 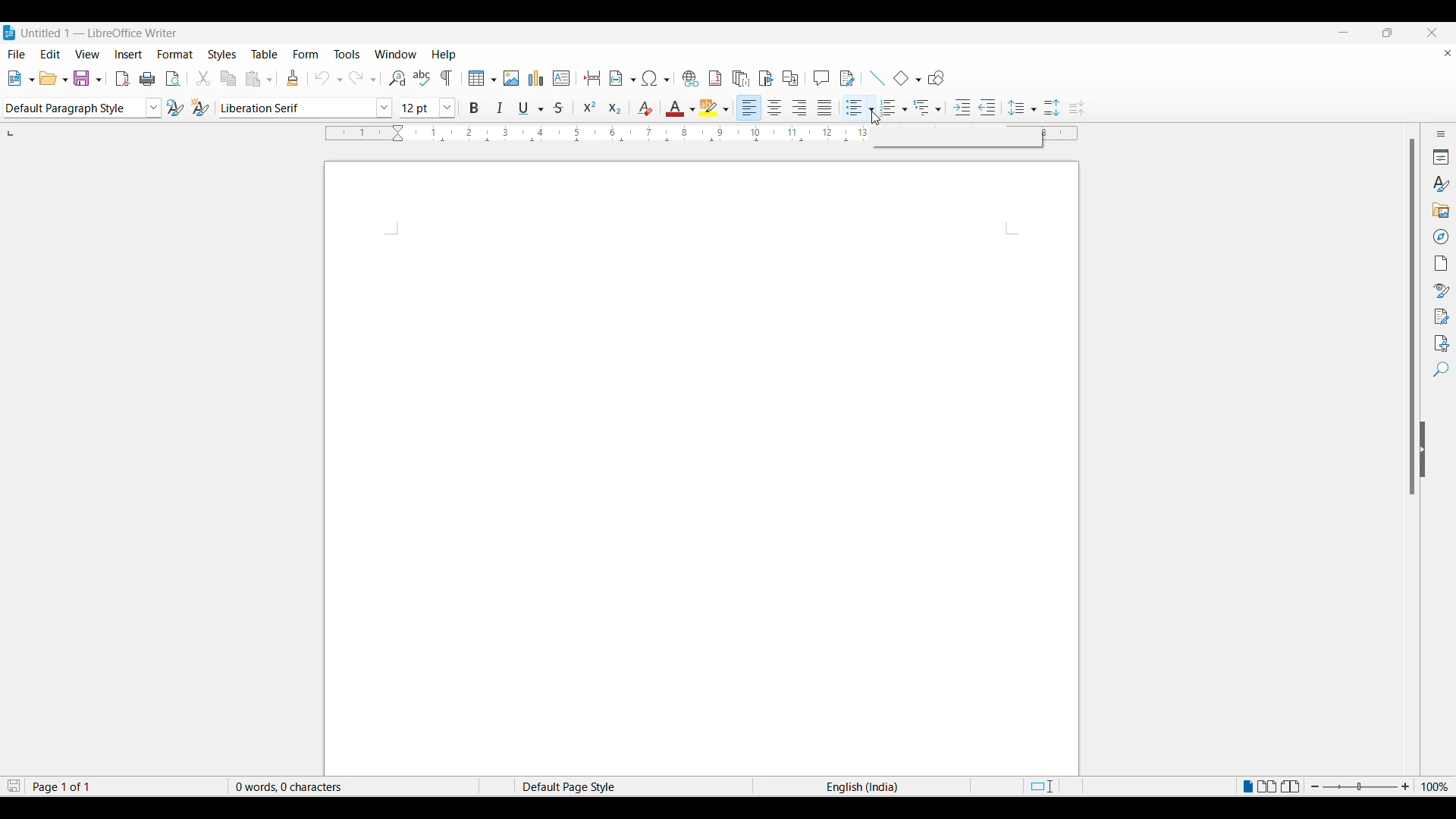 I want to click on insert field, so click(x=621, y=78).